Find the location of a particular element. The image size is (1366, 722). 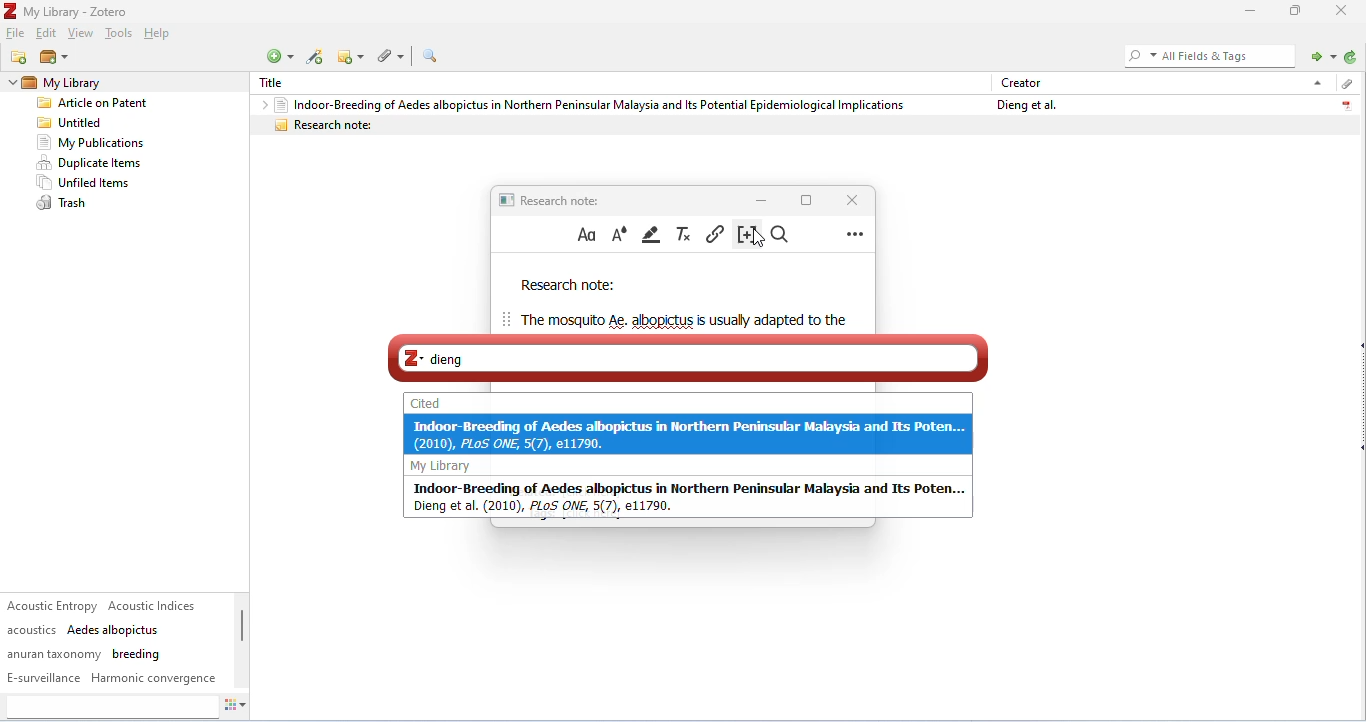

minimize is located at coordinates (762, 199).